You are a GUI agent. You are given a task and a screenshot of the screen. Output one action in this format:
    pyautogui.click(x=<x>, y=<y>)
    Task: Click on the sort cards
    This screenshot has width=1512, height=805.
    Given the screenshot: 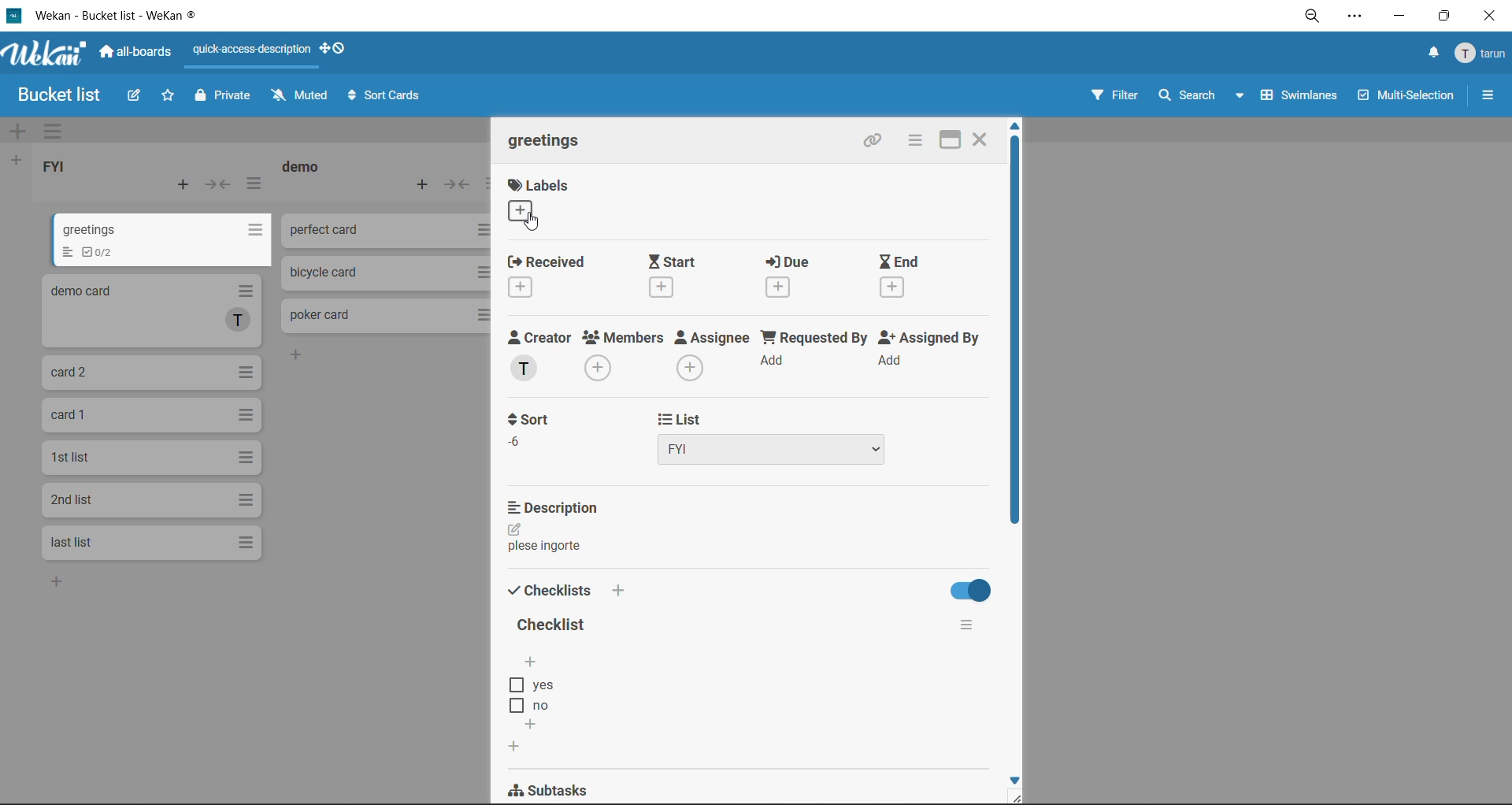 What is the action you would take?
    pyautogui.click(x=387, y=95)
    